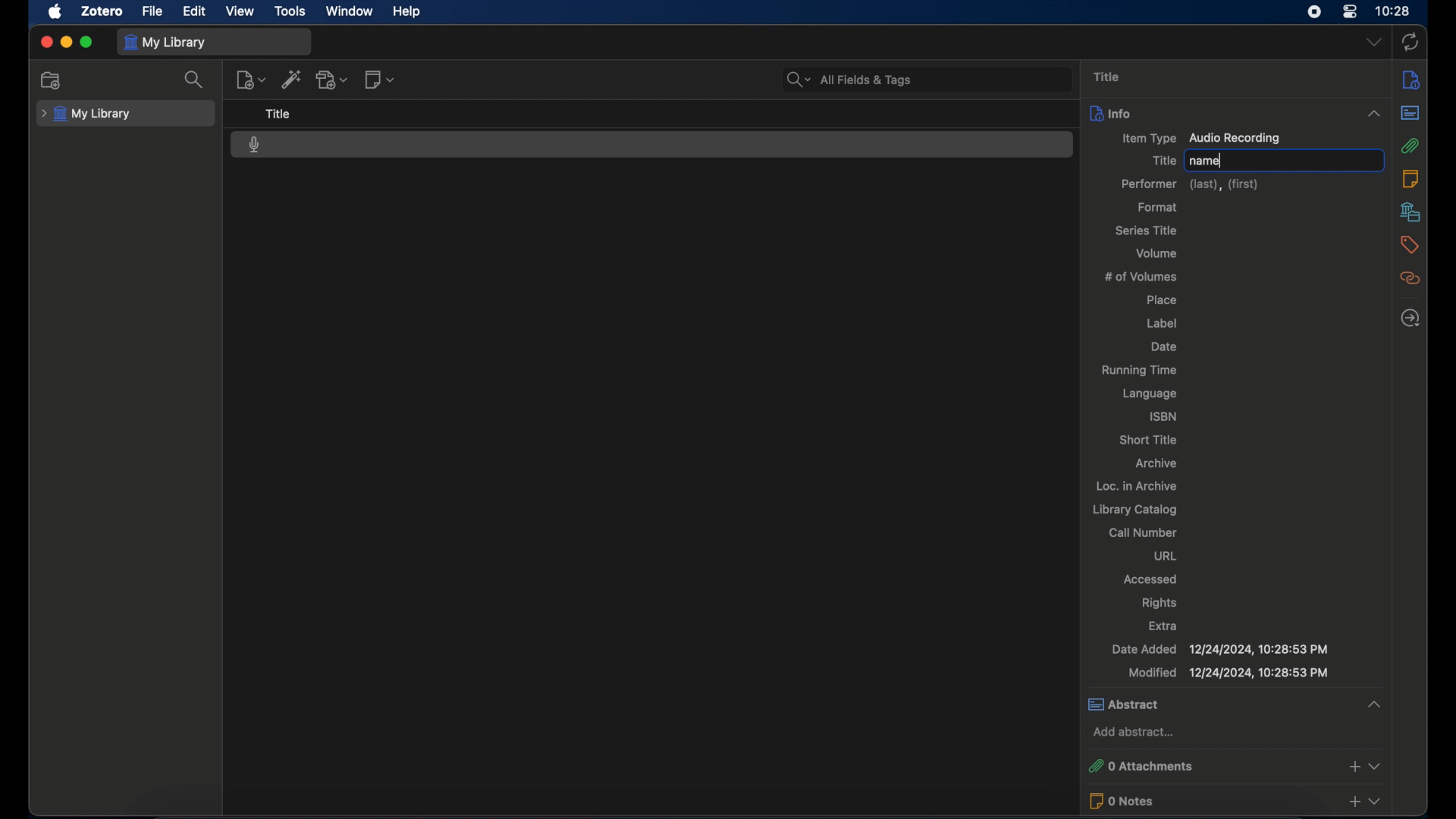  What do you see at coordinates (1235, 704) in the screenshot?
I see `abstract` at bounding box center [1235, 704].